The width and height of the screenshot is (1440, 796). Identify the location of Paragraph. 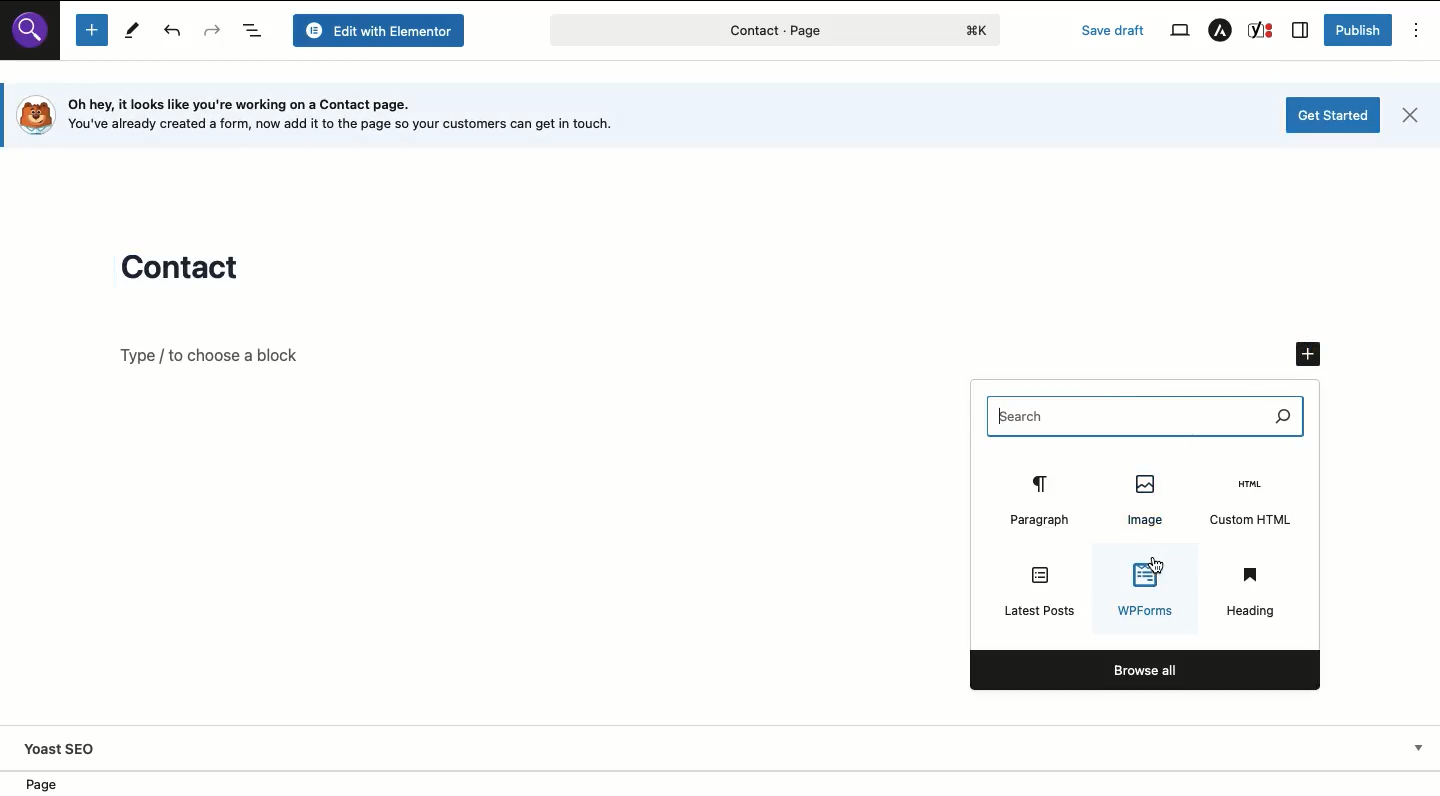
(1039, 500).